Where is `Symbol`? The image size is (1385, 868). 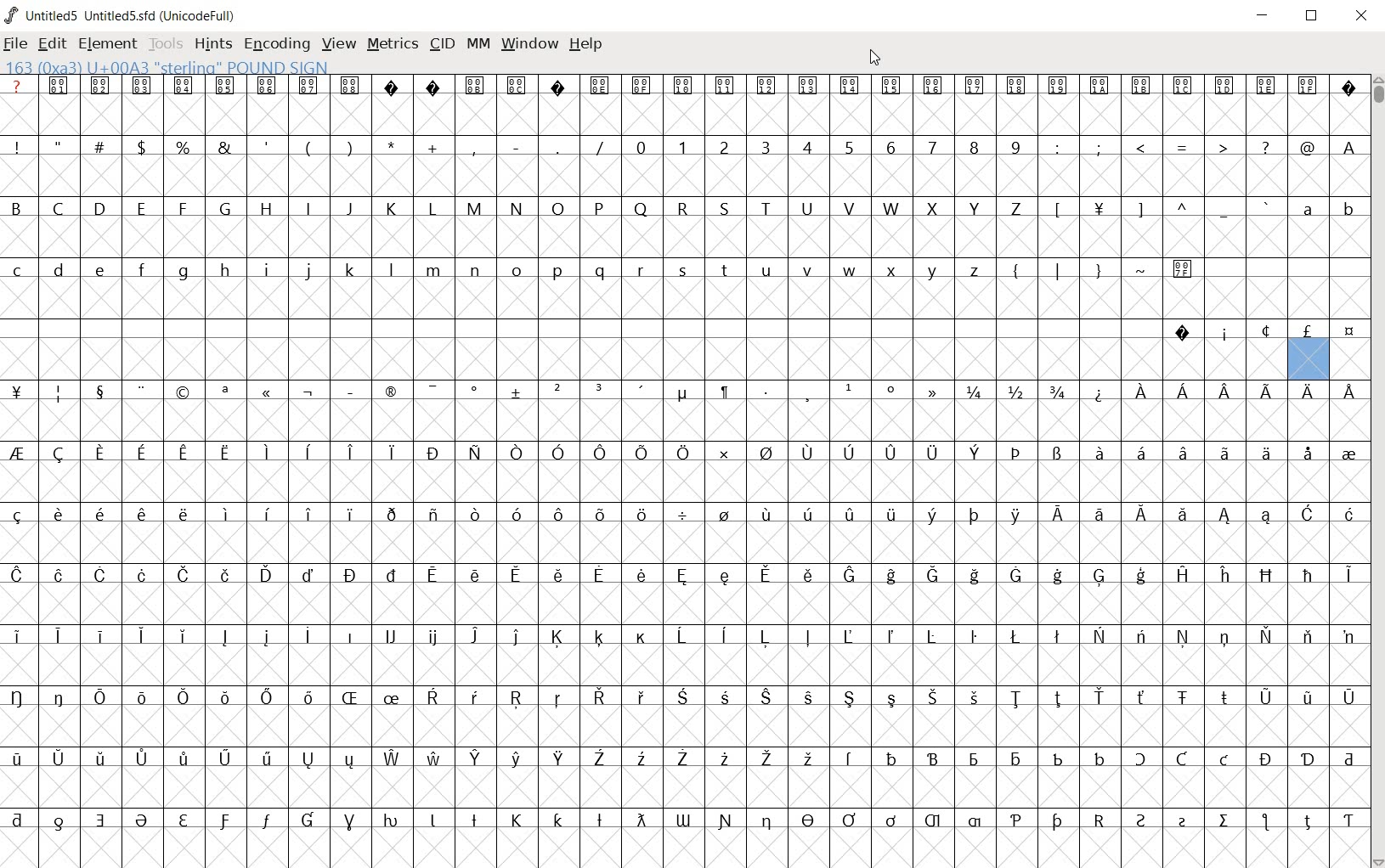 Symbol is located at coordinates (141, 454).